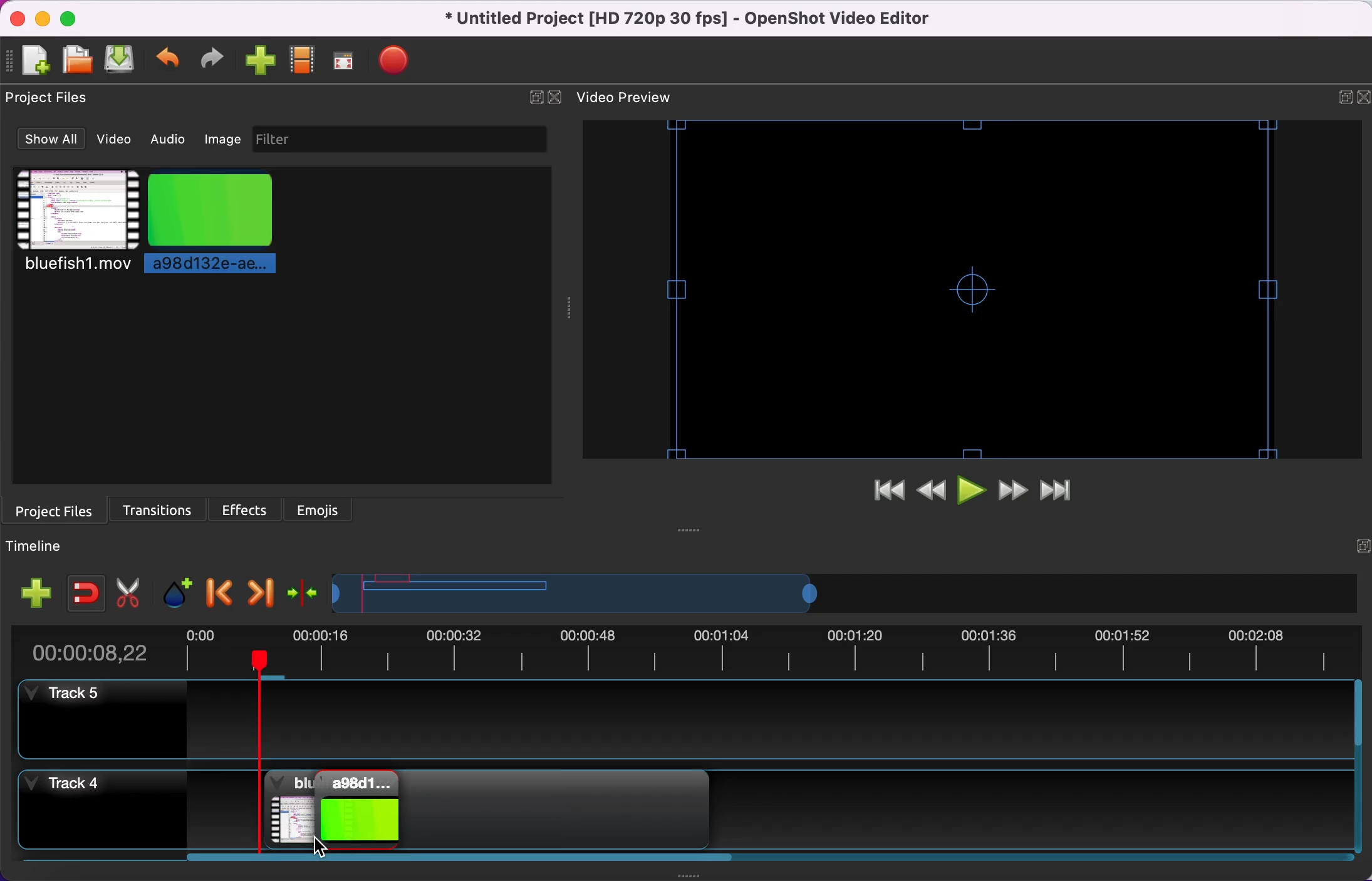 The image size is (1372, 881). I want to click on video, so click(71, 225).